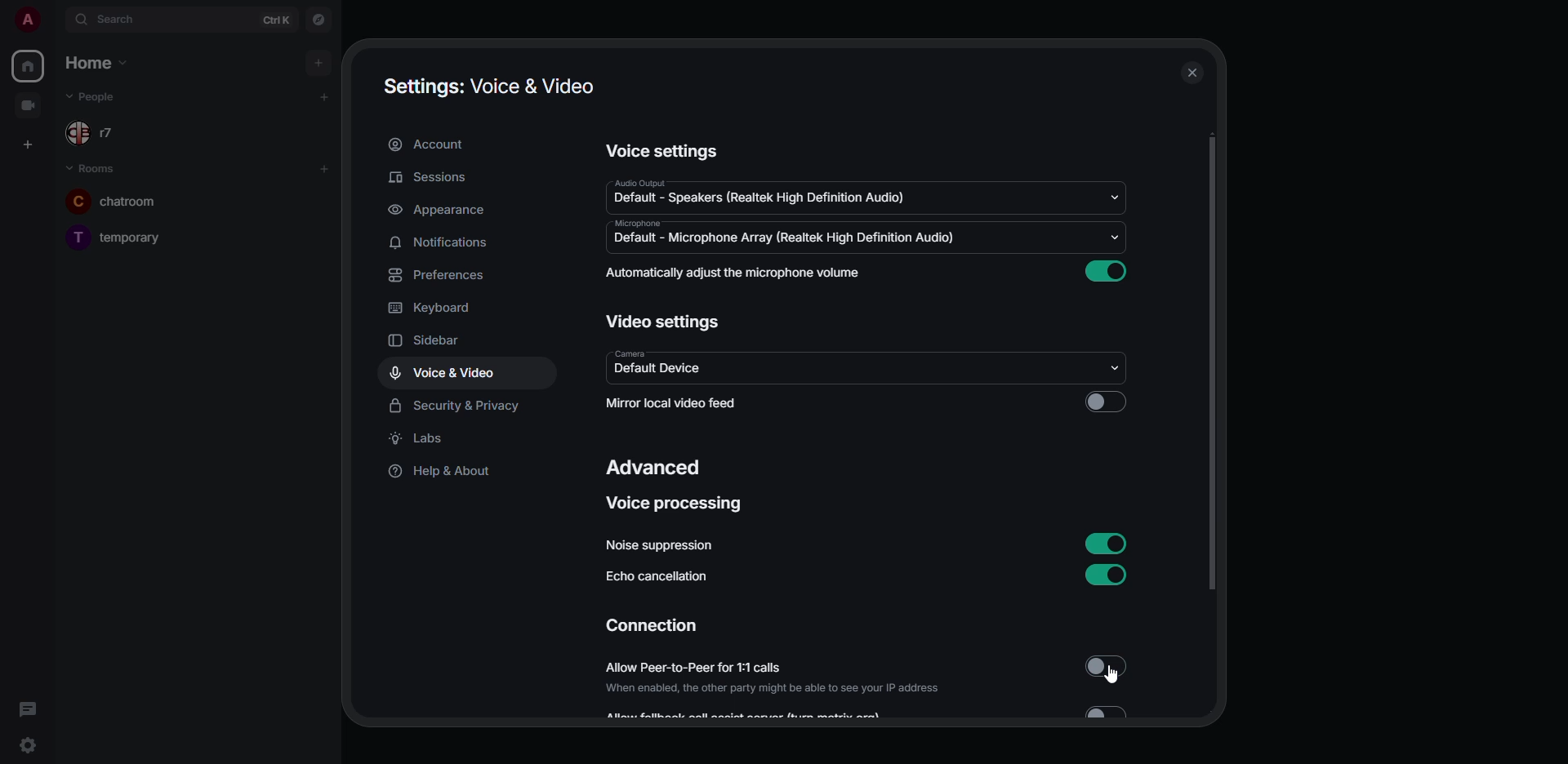 The height and width of the screenshot is (764, 1568). What do you see at coordinates (1112, 240) in the screenshot?
I see `drop down` at bounding box center [1112, 240].